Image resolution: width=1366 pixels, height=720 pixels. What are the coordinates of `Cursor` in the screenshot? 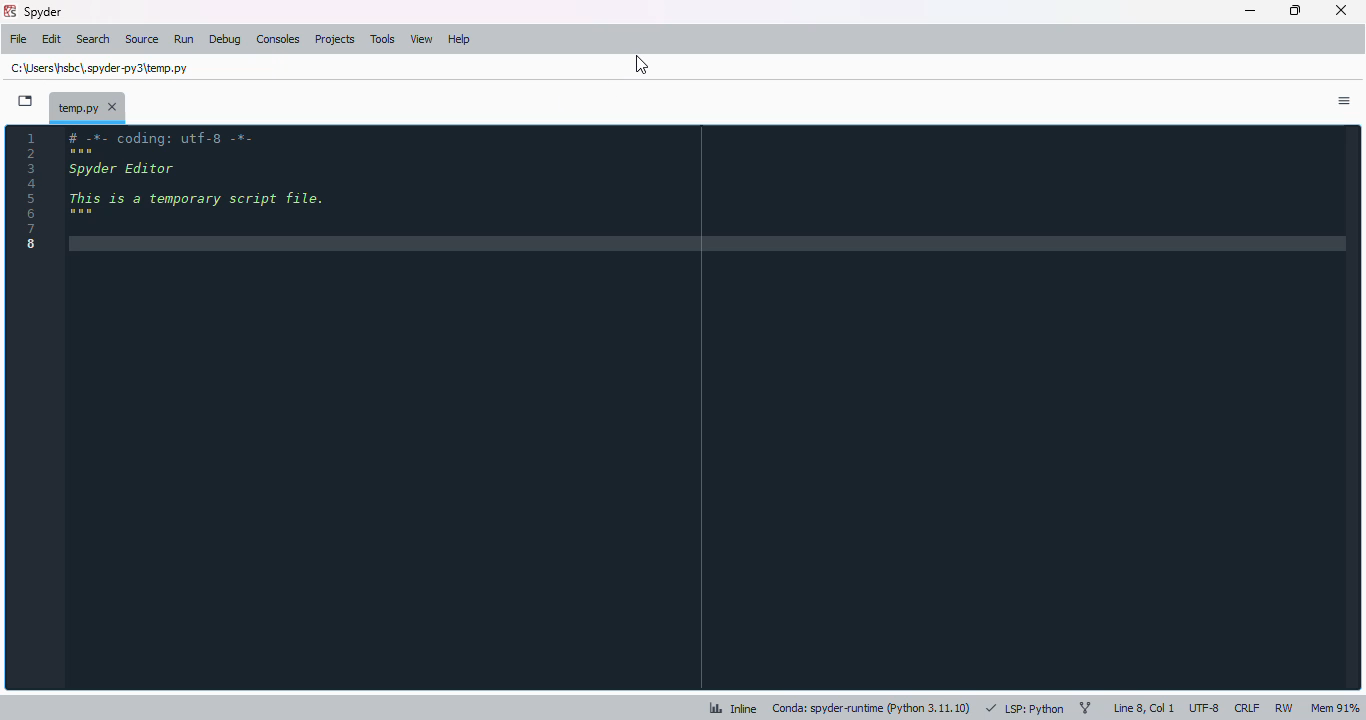 It's located at (637, 63).